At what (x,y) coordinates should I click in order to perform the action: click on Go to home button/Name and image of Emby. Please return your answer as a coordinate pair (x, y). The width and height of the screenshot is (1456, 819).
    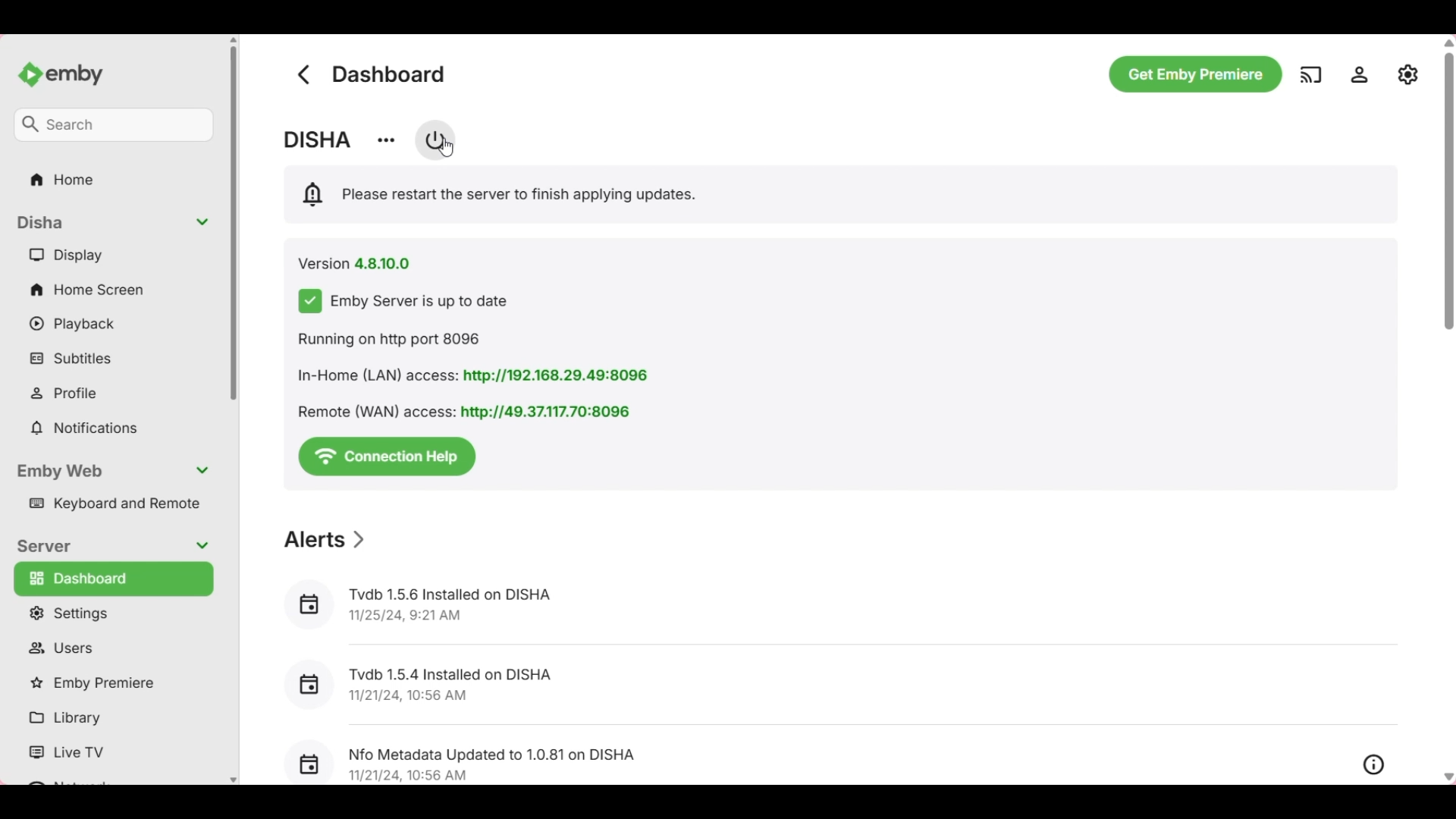
    Looking at the image, I should click on (60, 75).